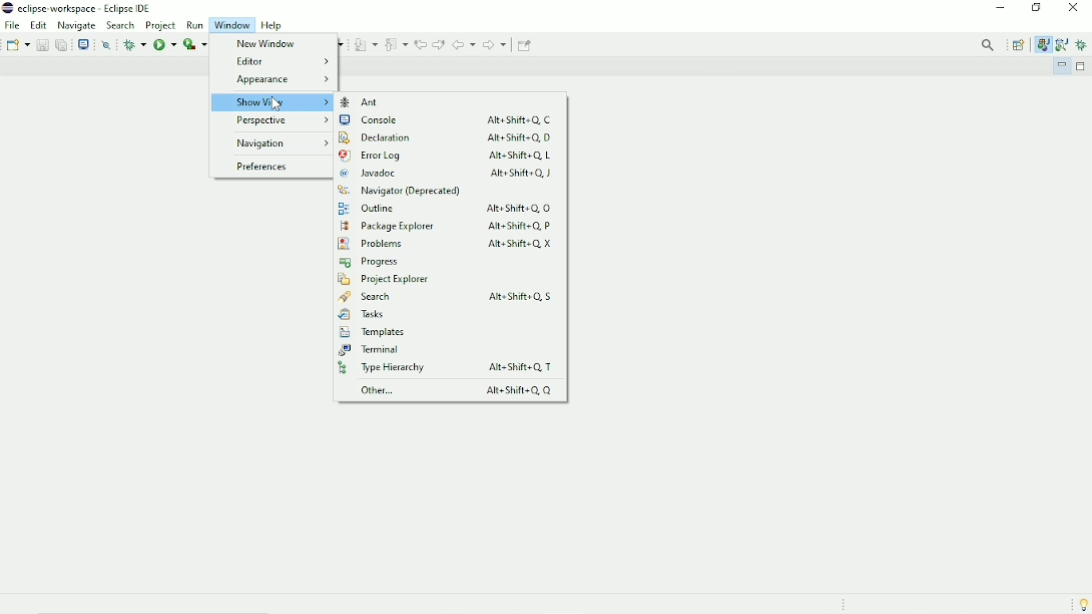  What do you see at coordinates (272, 104) in the screenshot?
I see `Cursor` at bounding box center [272, 104].